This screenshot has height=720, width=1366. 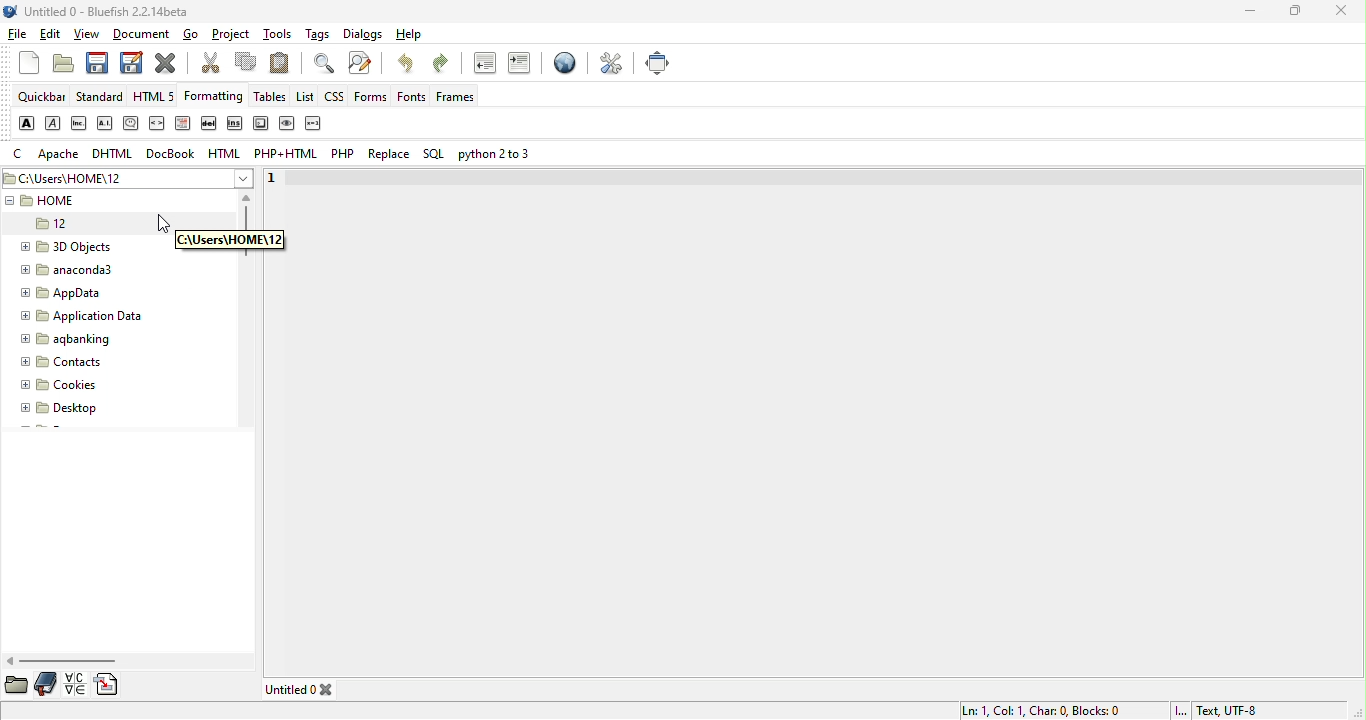 What do you see at coordinates (75, 246) in the screenshot?
I see `3d objects` at bounding box center [75, 246].